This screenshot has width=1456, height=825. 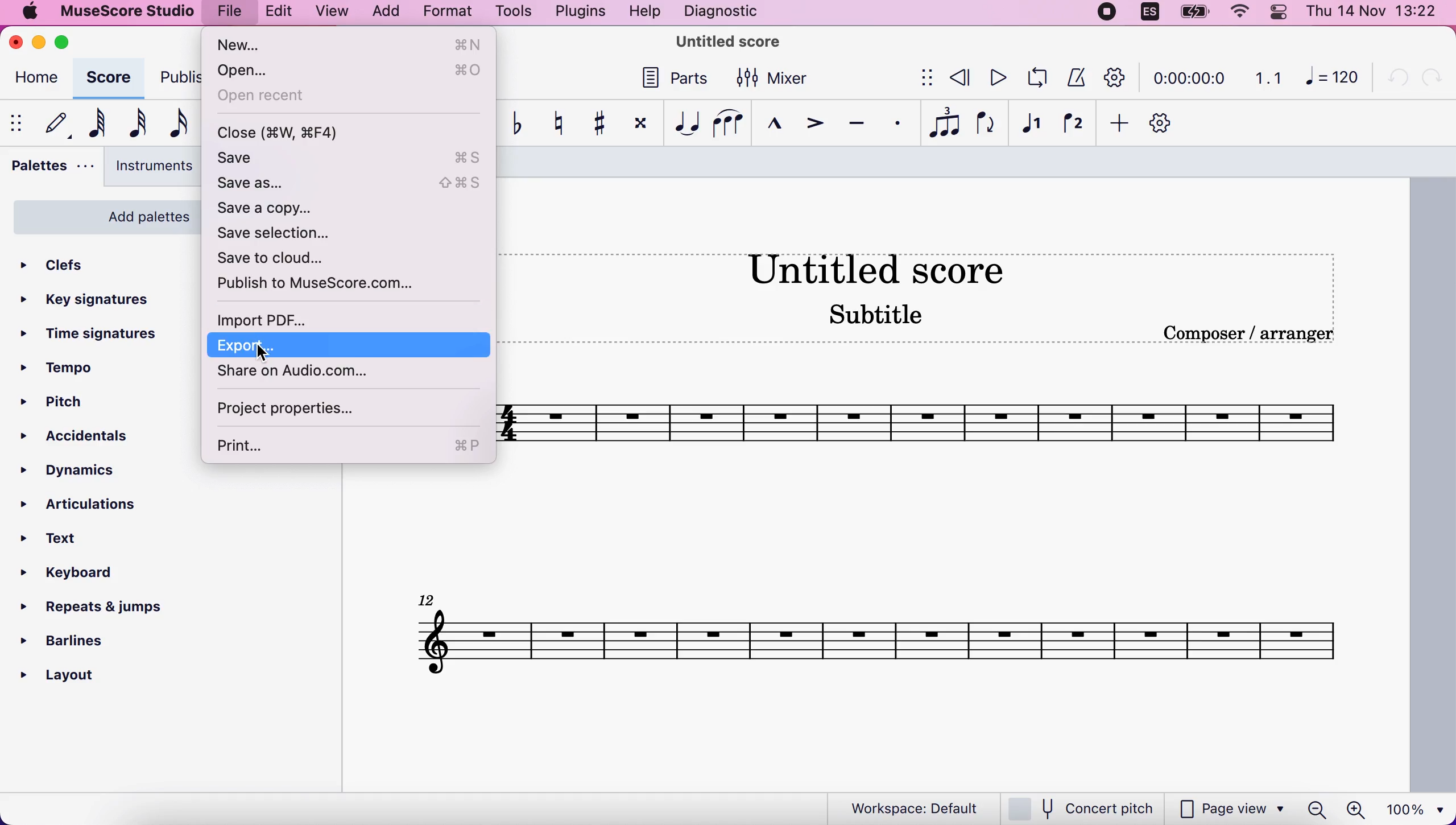 I want to click on add, so click(x=391, y=14).